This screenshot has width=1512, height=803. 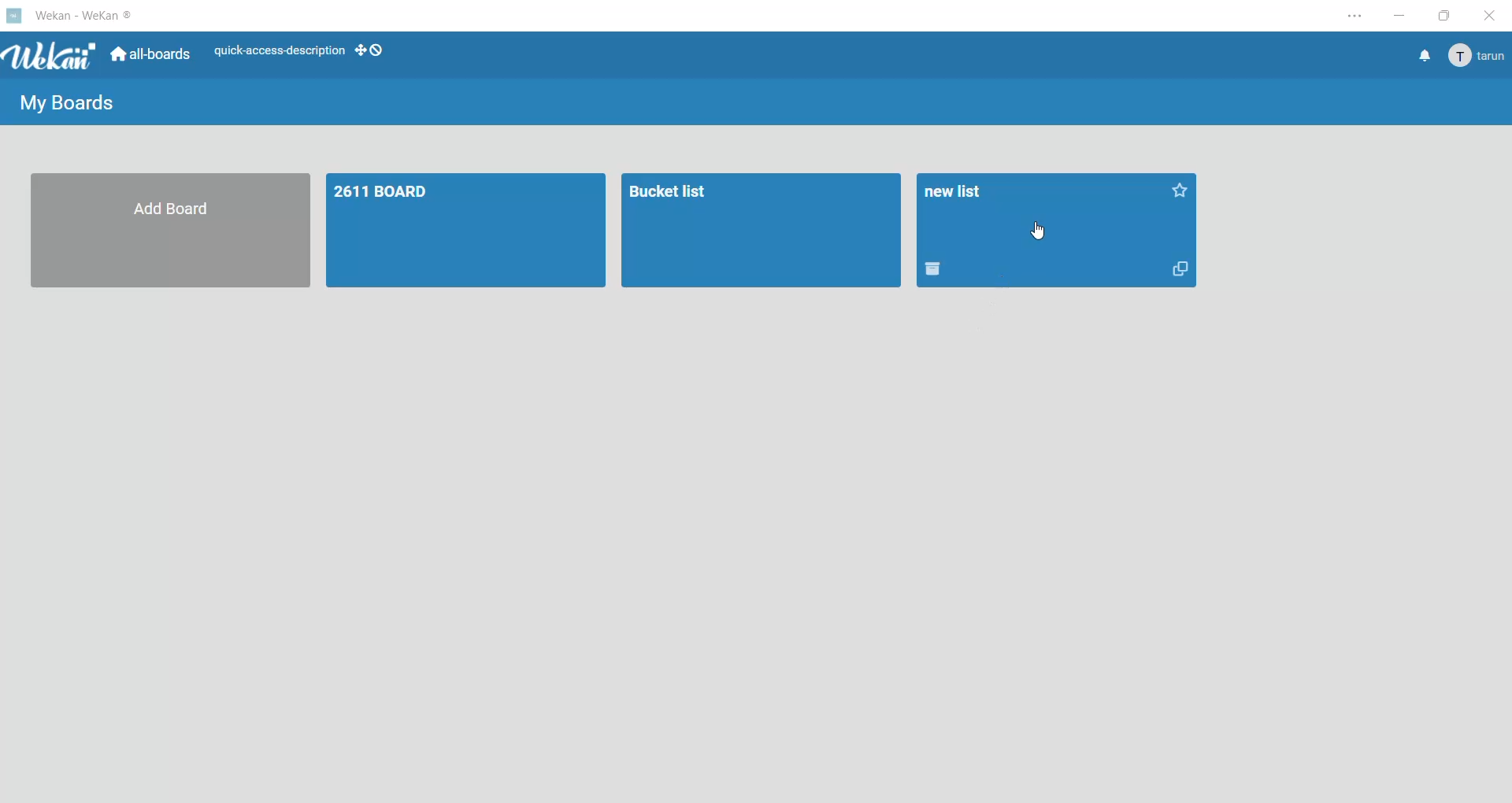 I want to click on board 2, so click(x=761, y=232).